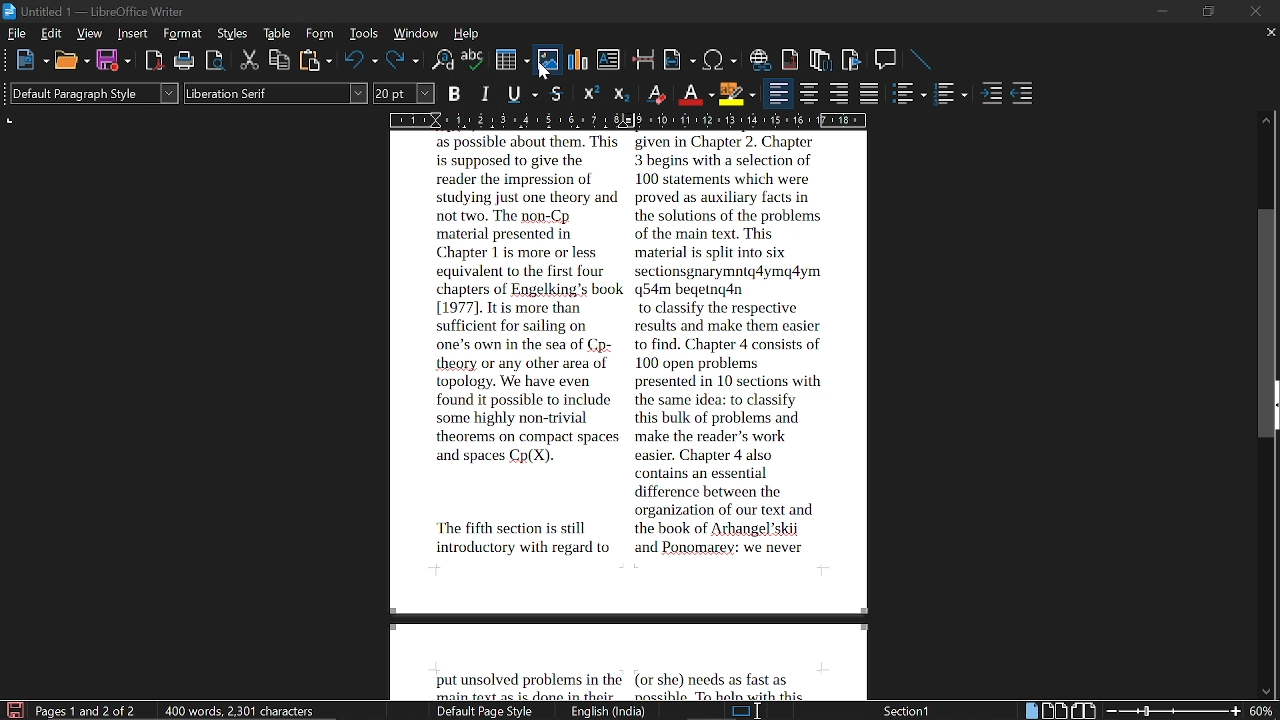 The image size is (1280, 720). Describe the element at coordinates (1055, 710) in the screenshot. I see `multiple page view` at that location.